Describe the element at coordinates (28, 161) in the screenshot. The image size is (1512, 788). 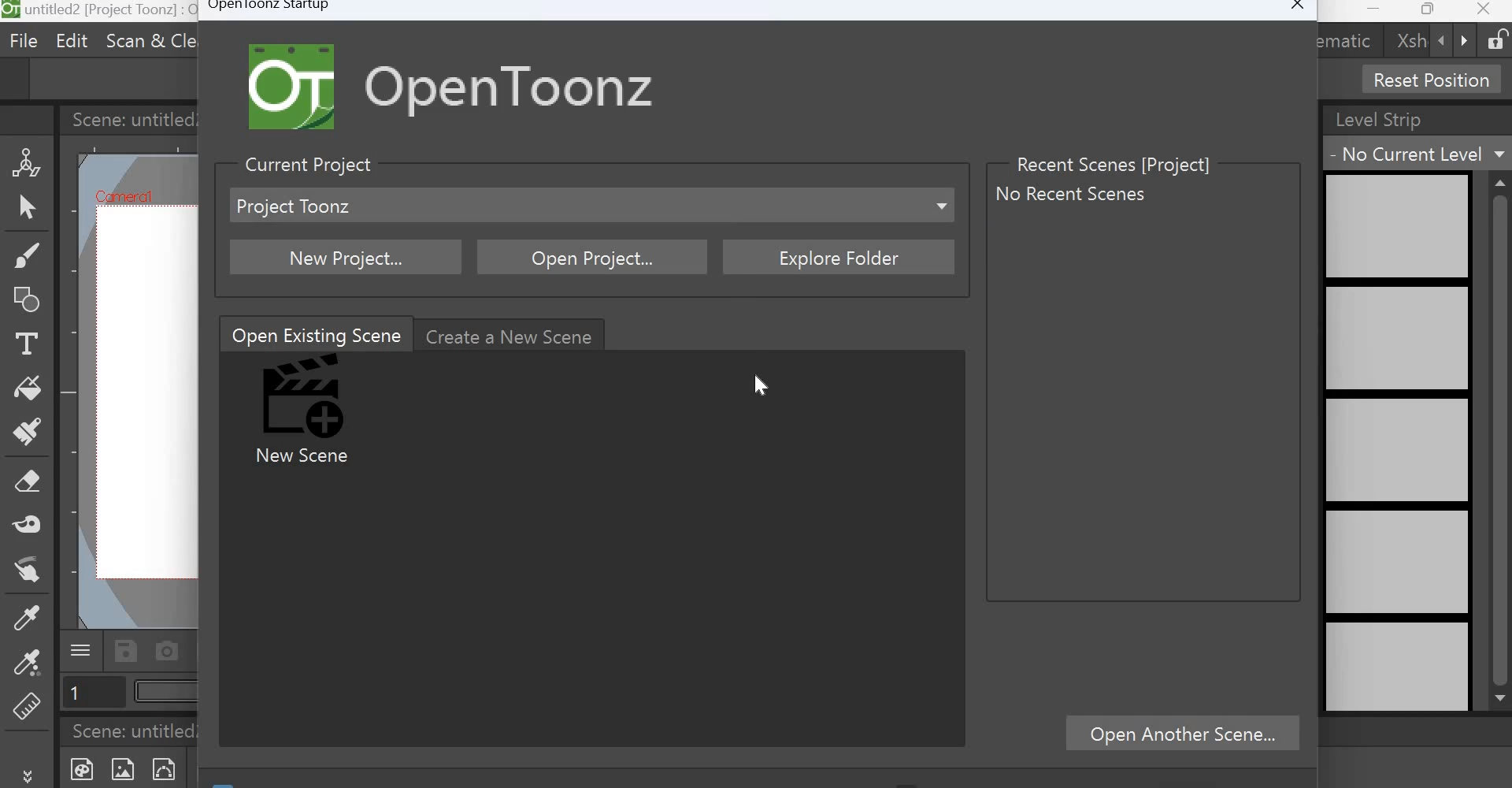
I see `Animate Tool` at that location.